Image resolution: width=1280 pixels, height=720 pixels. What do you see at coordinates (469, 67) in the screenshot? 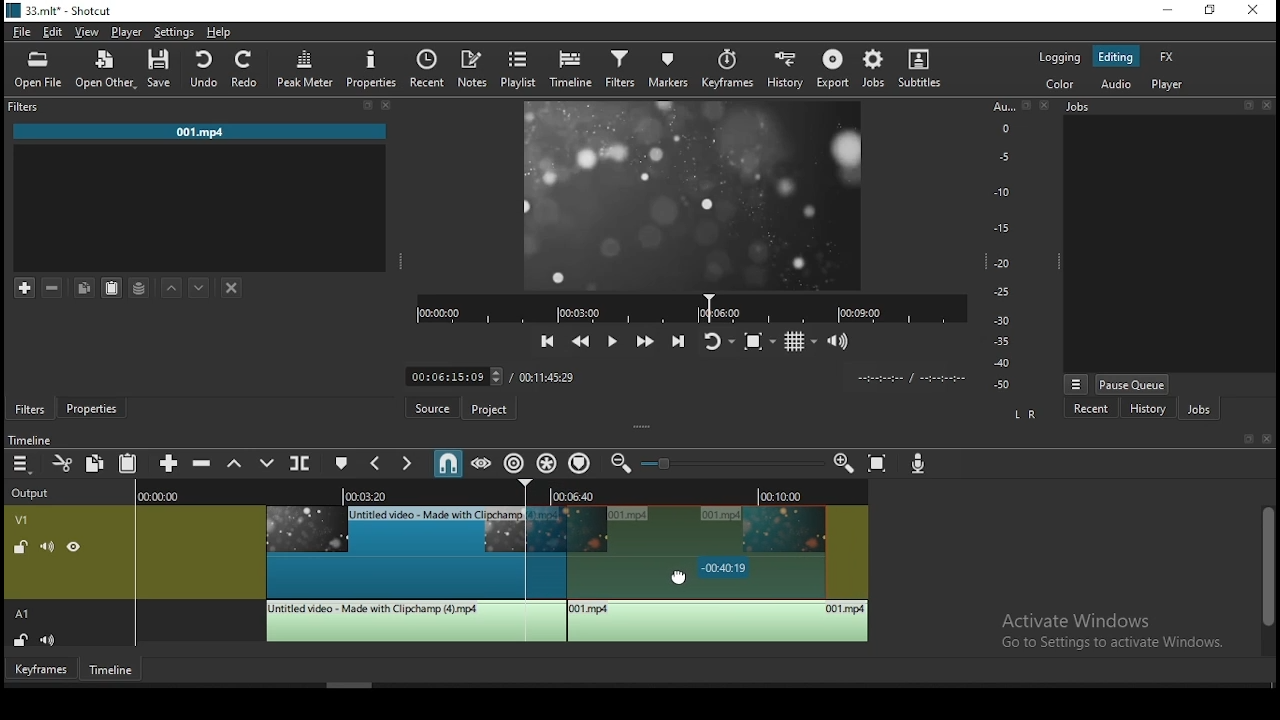
I see `notes` at bounding box center [469, 67].